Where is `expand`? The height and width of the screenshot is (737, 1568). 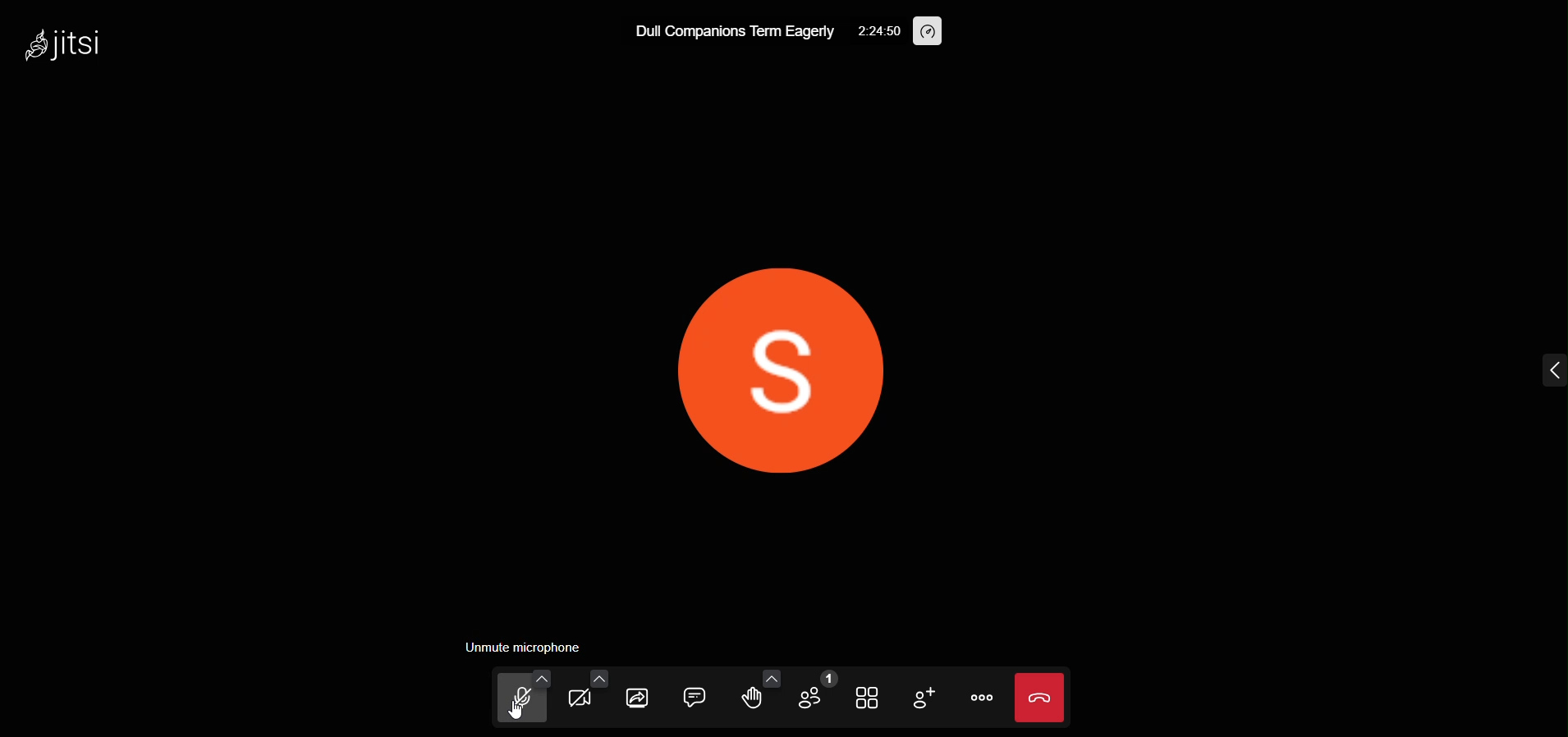 expand is located at coordinates (1548, 374).